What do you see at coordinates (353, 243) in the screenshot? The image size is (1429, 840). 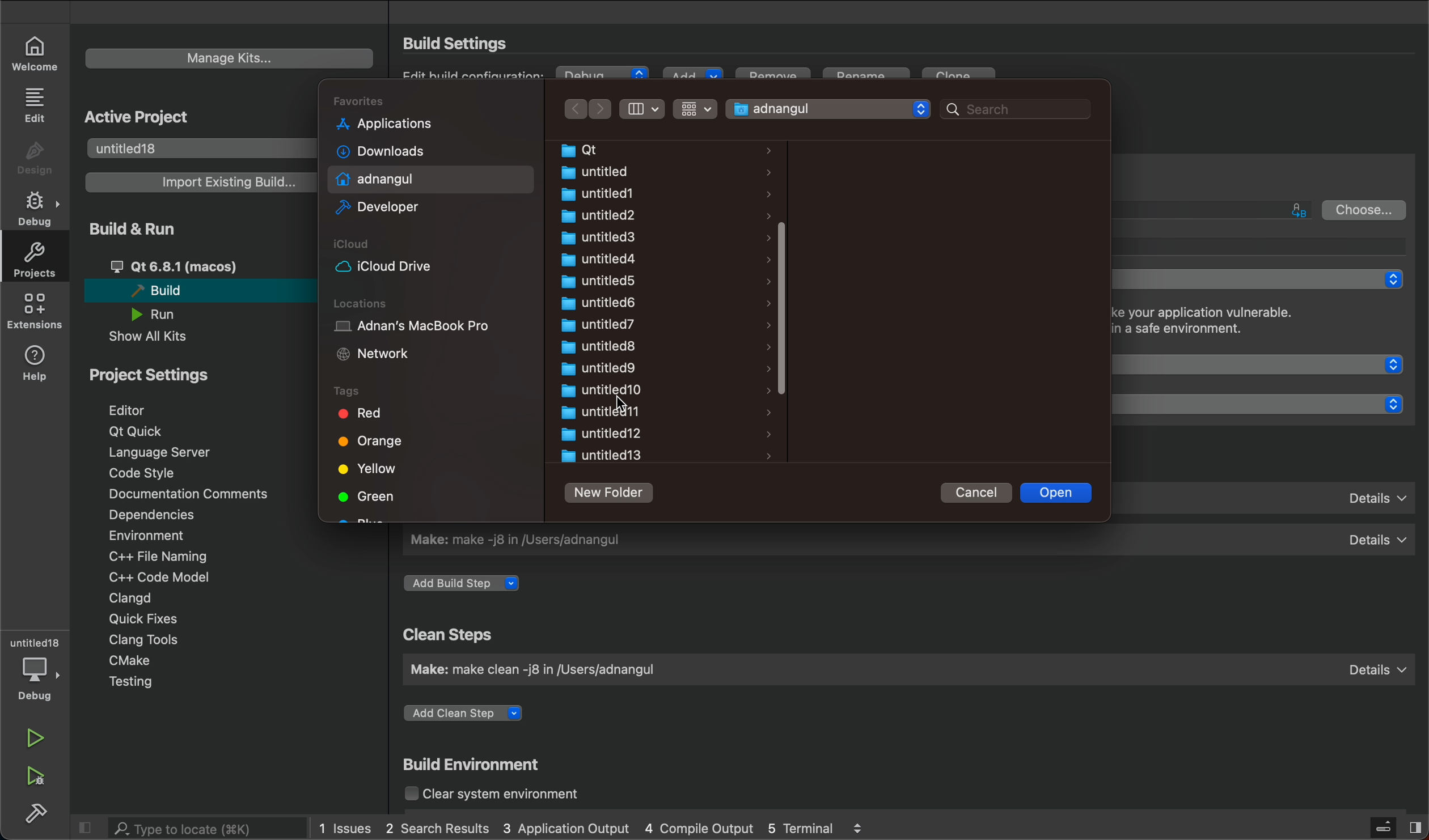 I see `iCloud` at bounding box center [353, 243].